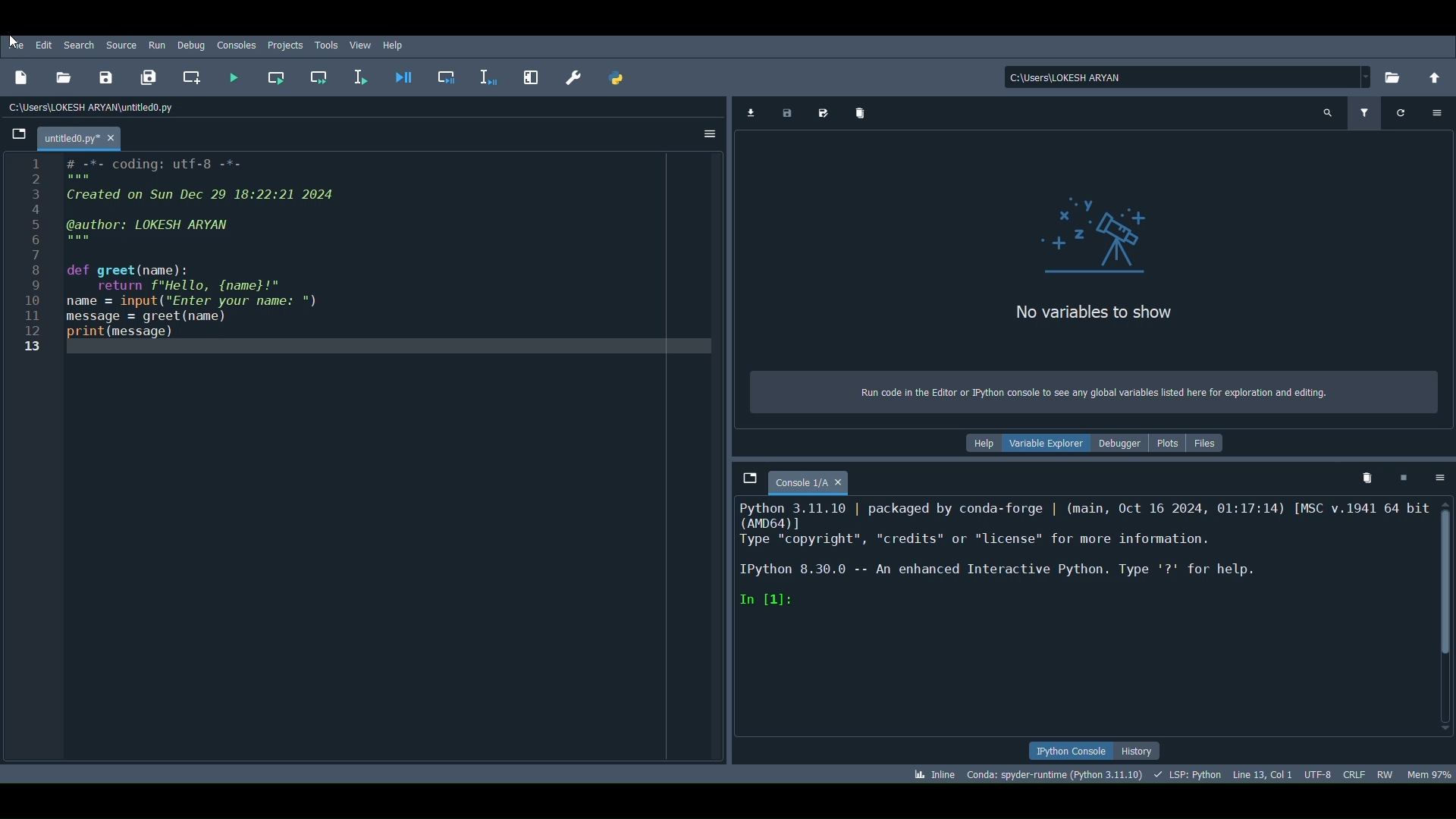 Image resolution: width=1456 pixels, height=819 pixels. Describe the element at coordinates (1426, 772) in the screenshot. I see `Global memory usage` at that location.